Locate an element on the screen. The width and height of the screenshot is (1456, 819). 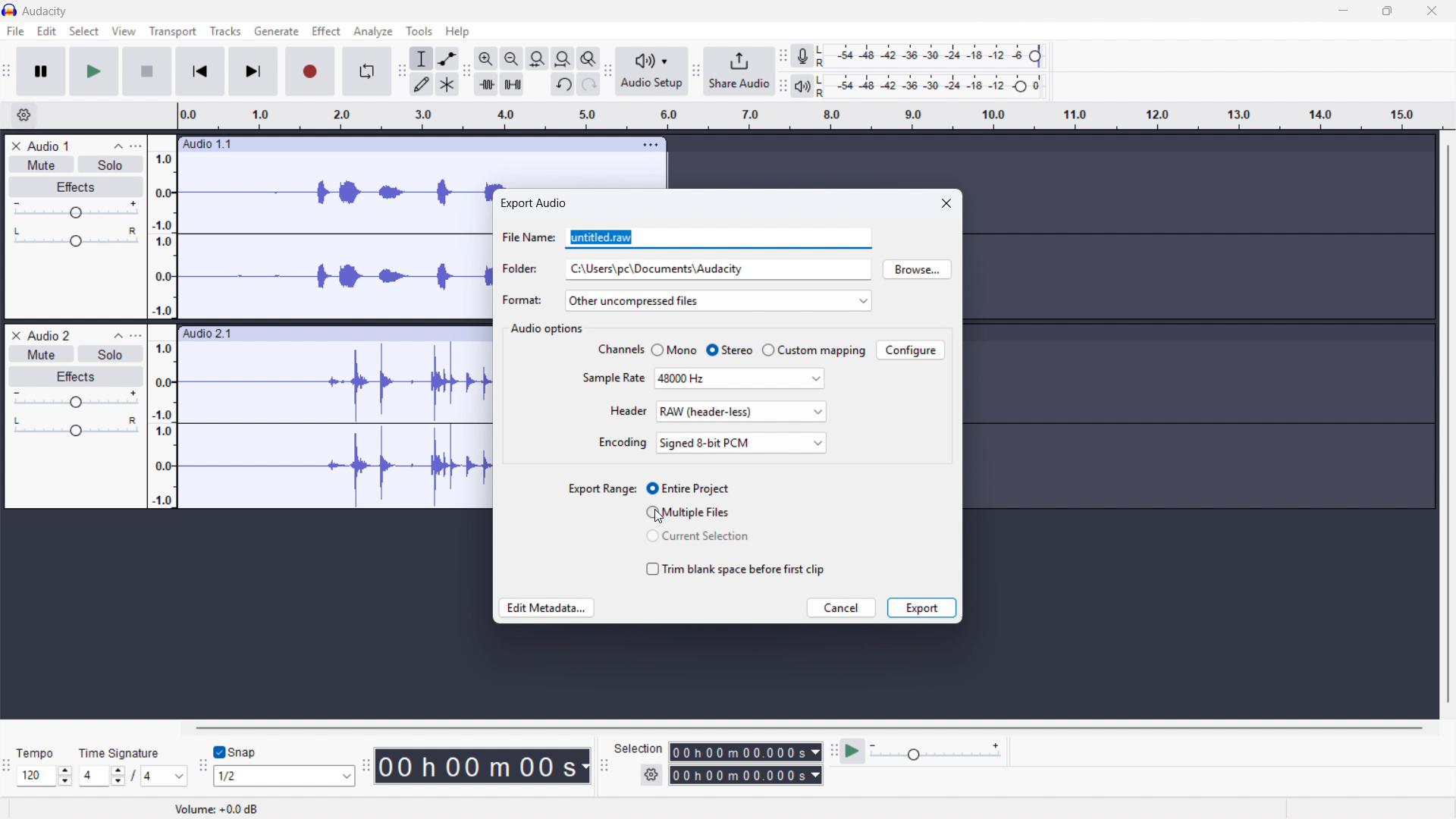
Toggle snap is located at coordinates (237, 752).